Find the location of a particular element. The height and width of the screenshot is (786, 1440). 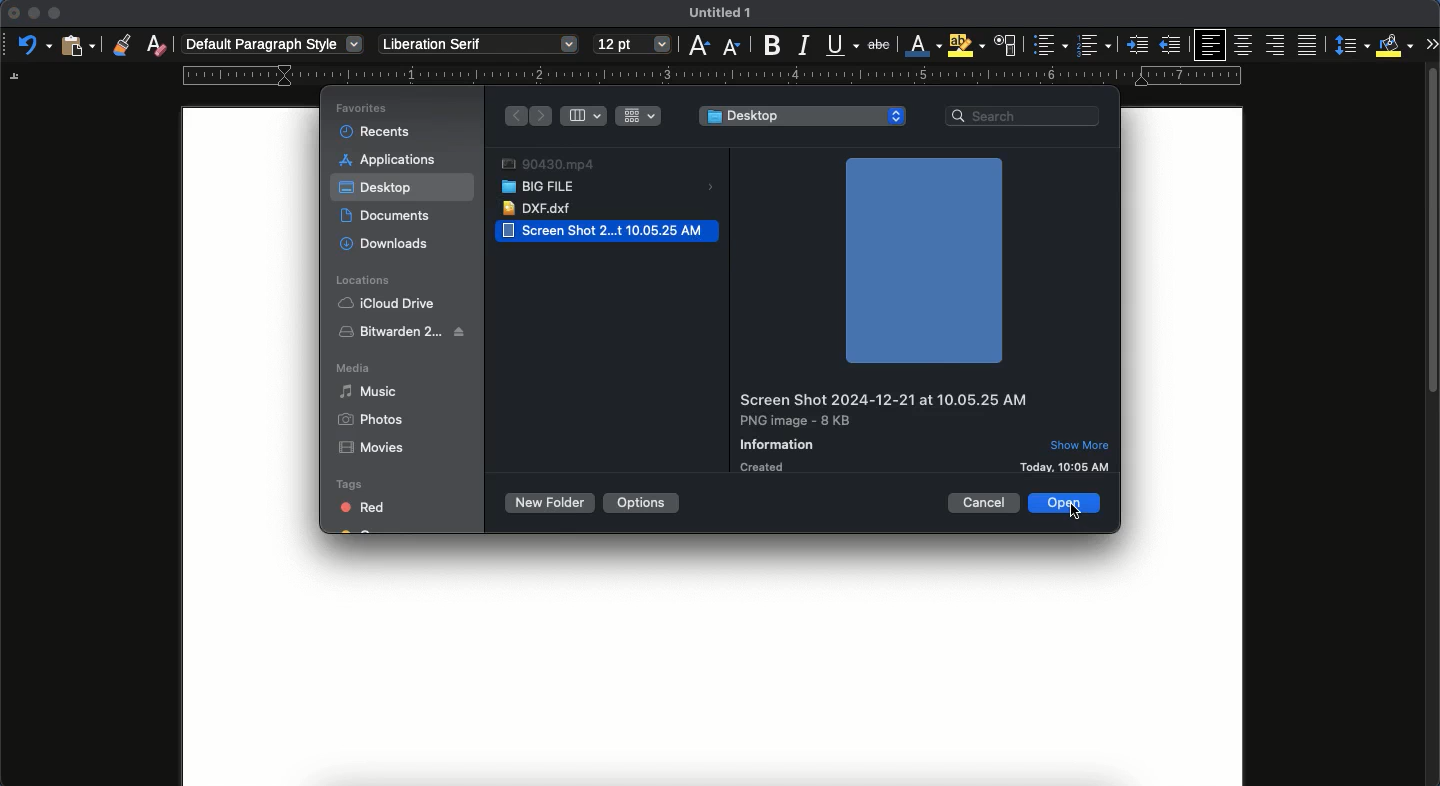

bitwarden 2.. is located at coordinates (404, 331).